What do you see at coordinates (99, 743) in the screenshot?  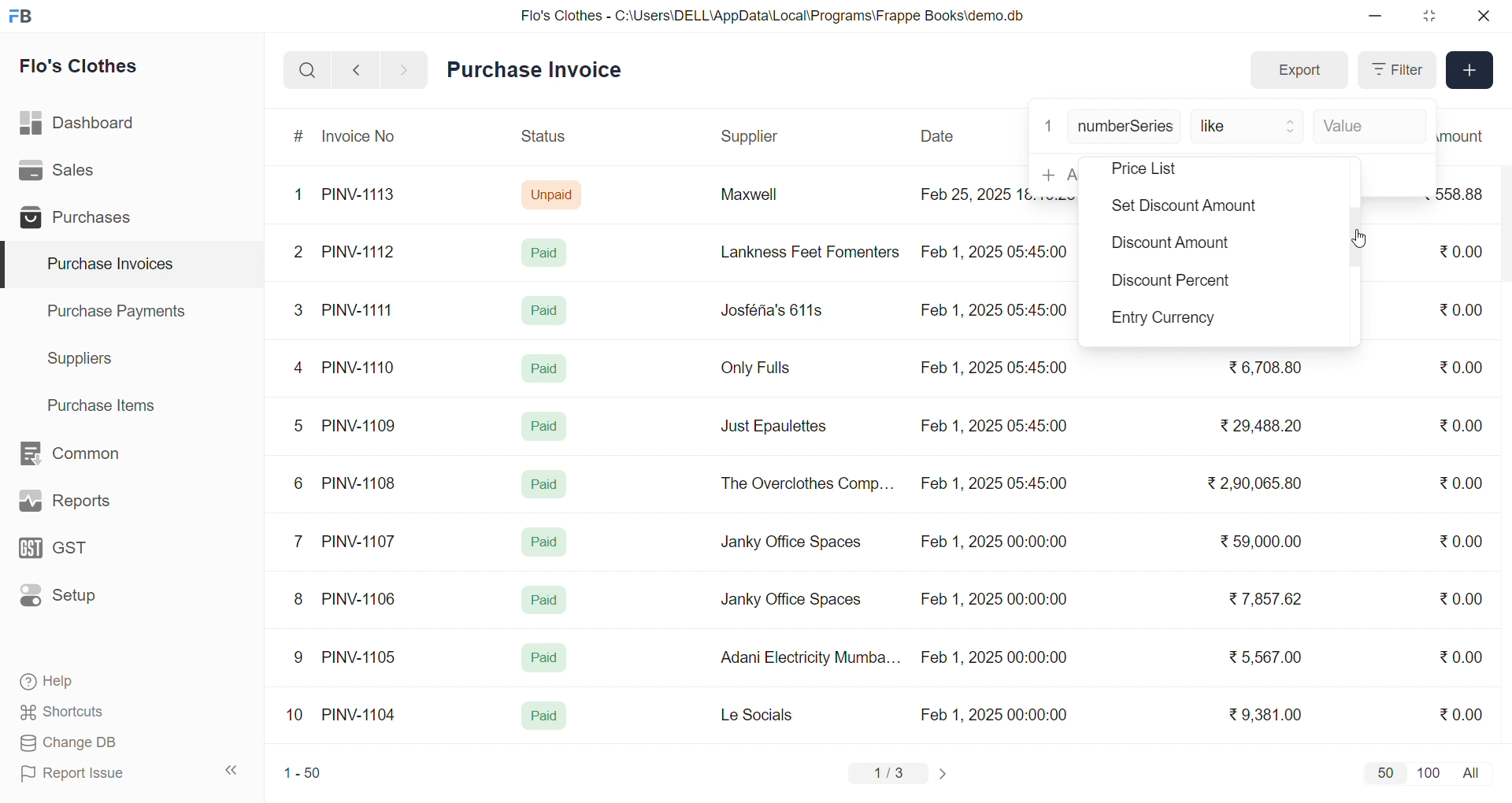 I see `Change DB` at bounding box center [99, 743].